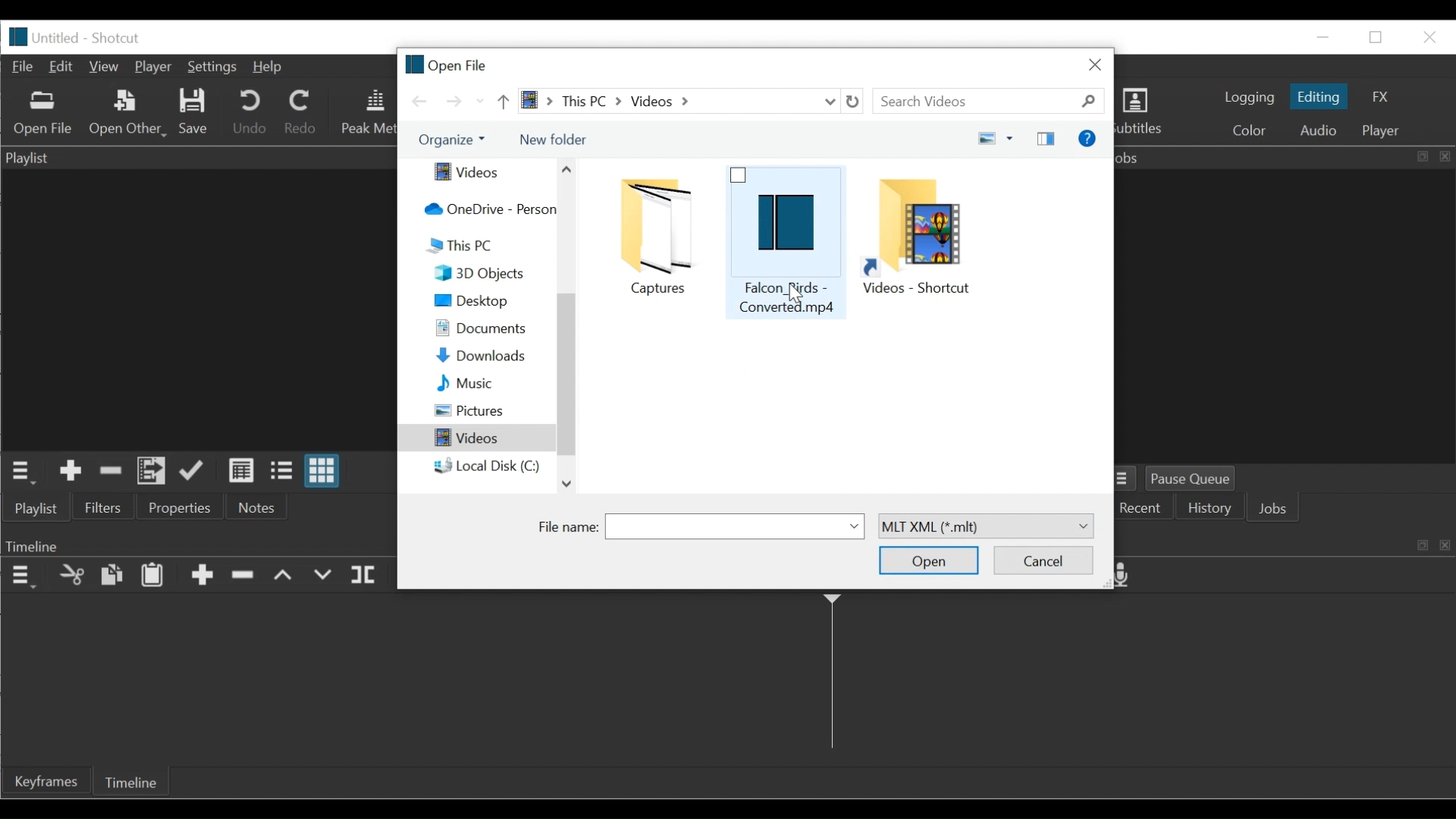 This screenshot has width=1456, height=819. I want to click on Overwrite, so click(322, 576).